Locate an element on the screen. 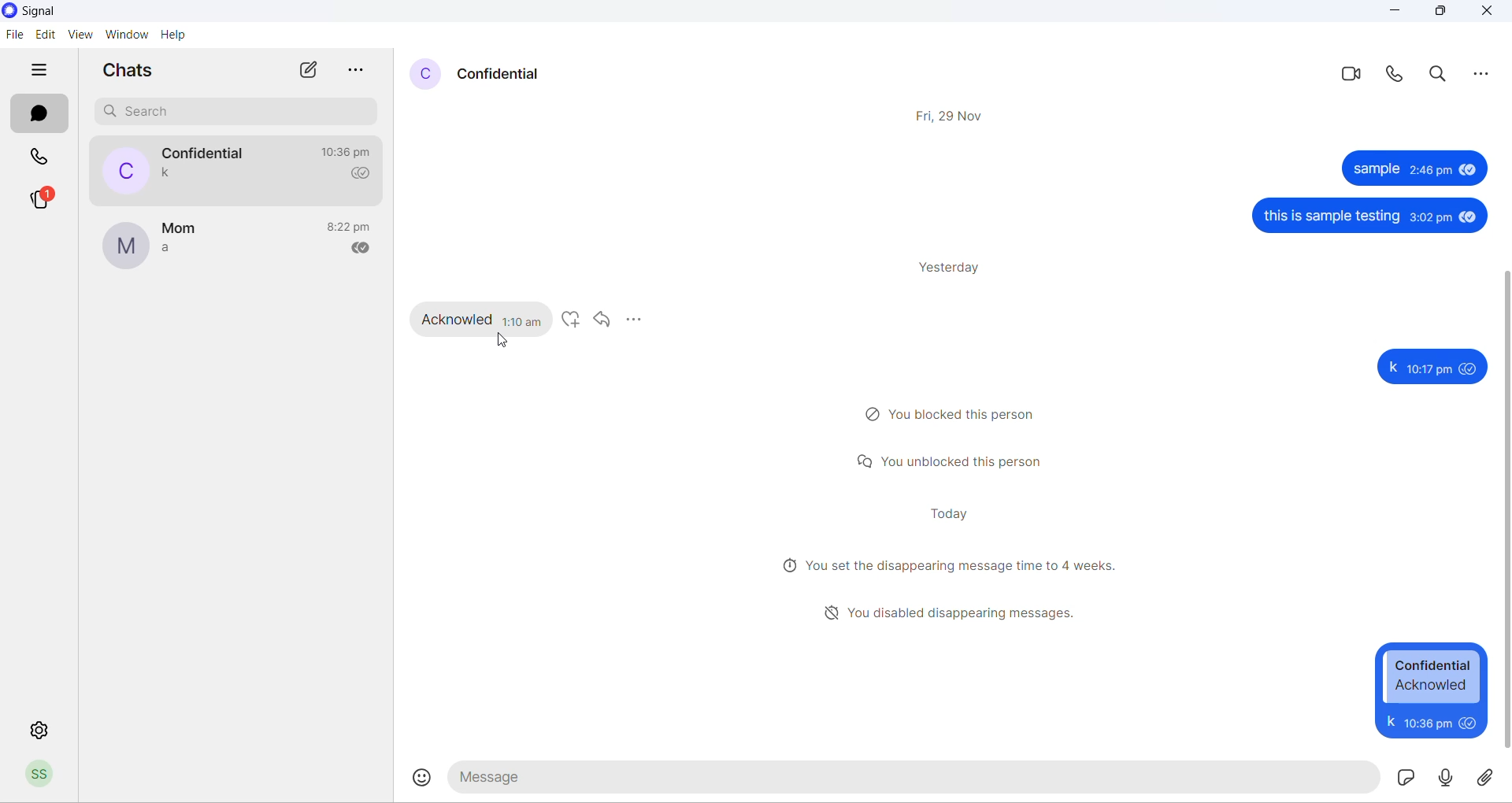  contact name is located at coordinates (206, 154).